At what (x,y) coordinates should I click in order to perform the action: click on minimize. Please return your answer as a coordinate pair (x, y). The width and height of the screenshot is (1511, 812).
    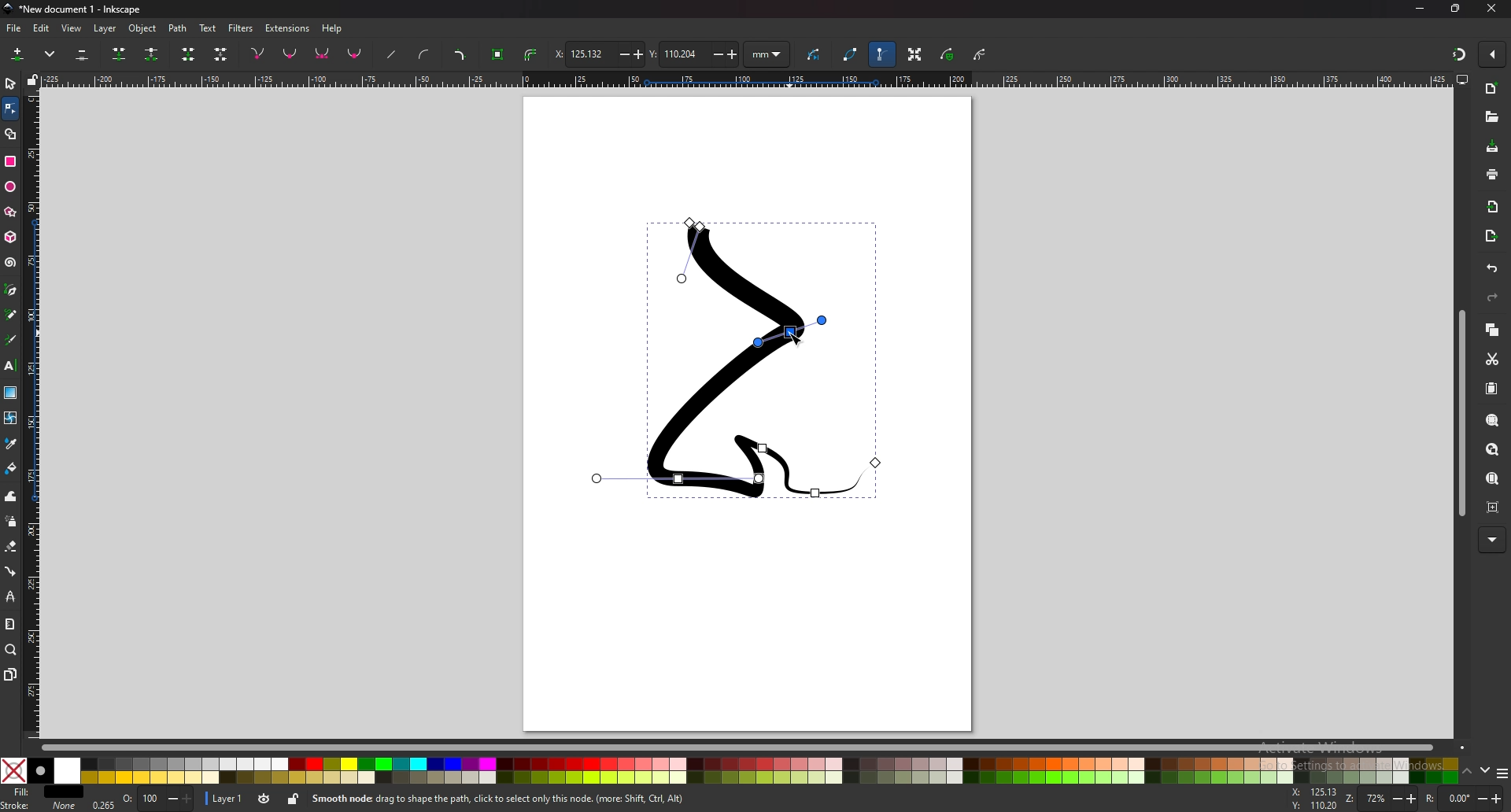
    Looking at the image, I should click on (1419, 7).